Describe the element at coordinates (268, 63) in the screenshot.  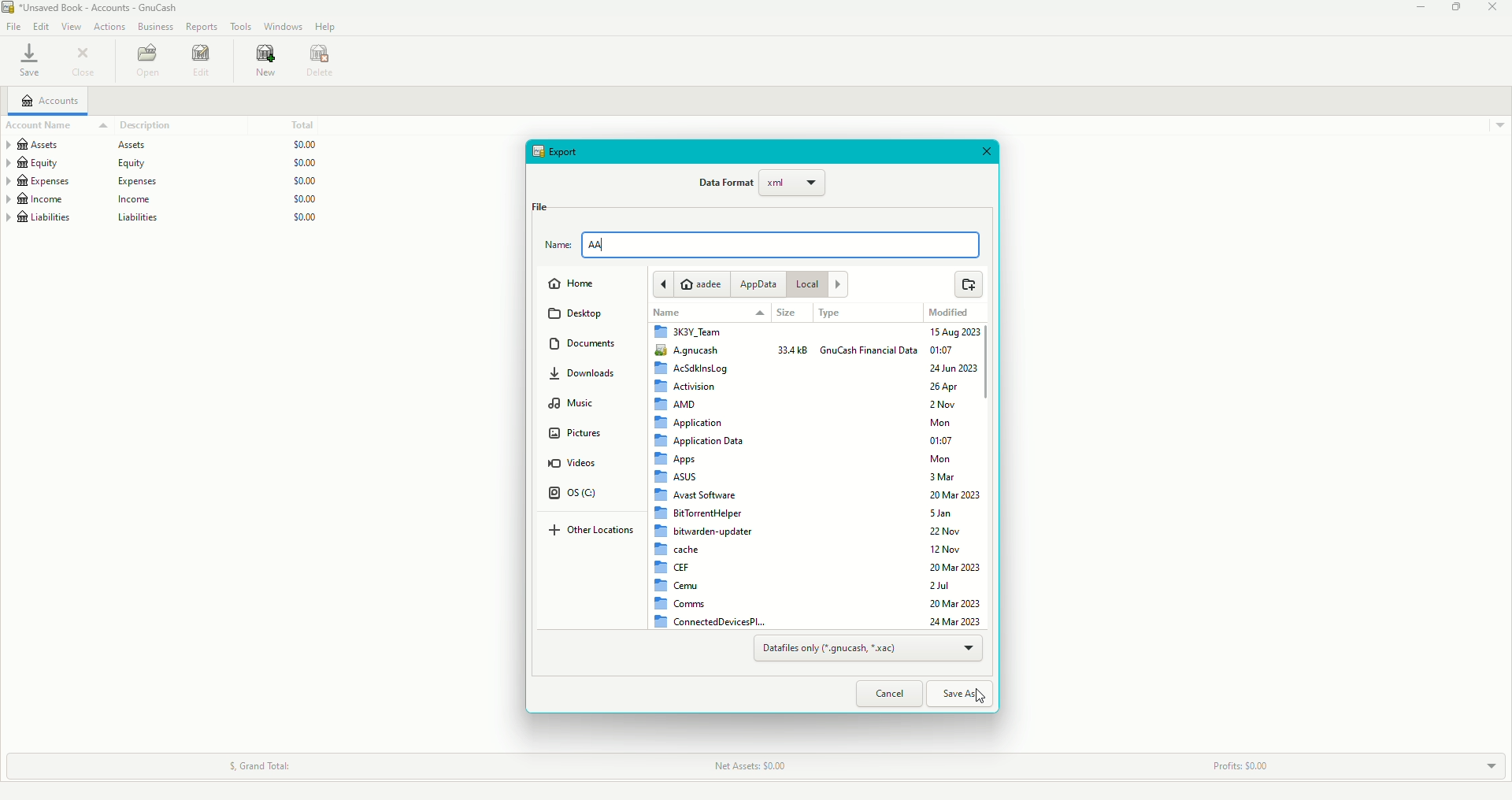
I see `New` at that location.